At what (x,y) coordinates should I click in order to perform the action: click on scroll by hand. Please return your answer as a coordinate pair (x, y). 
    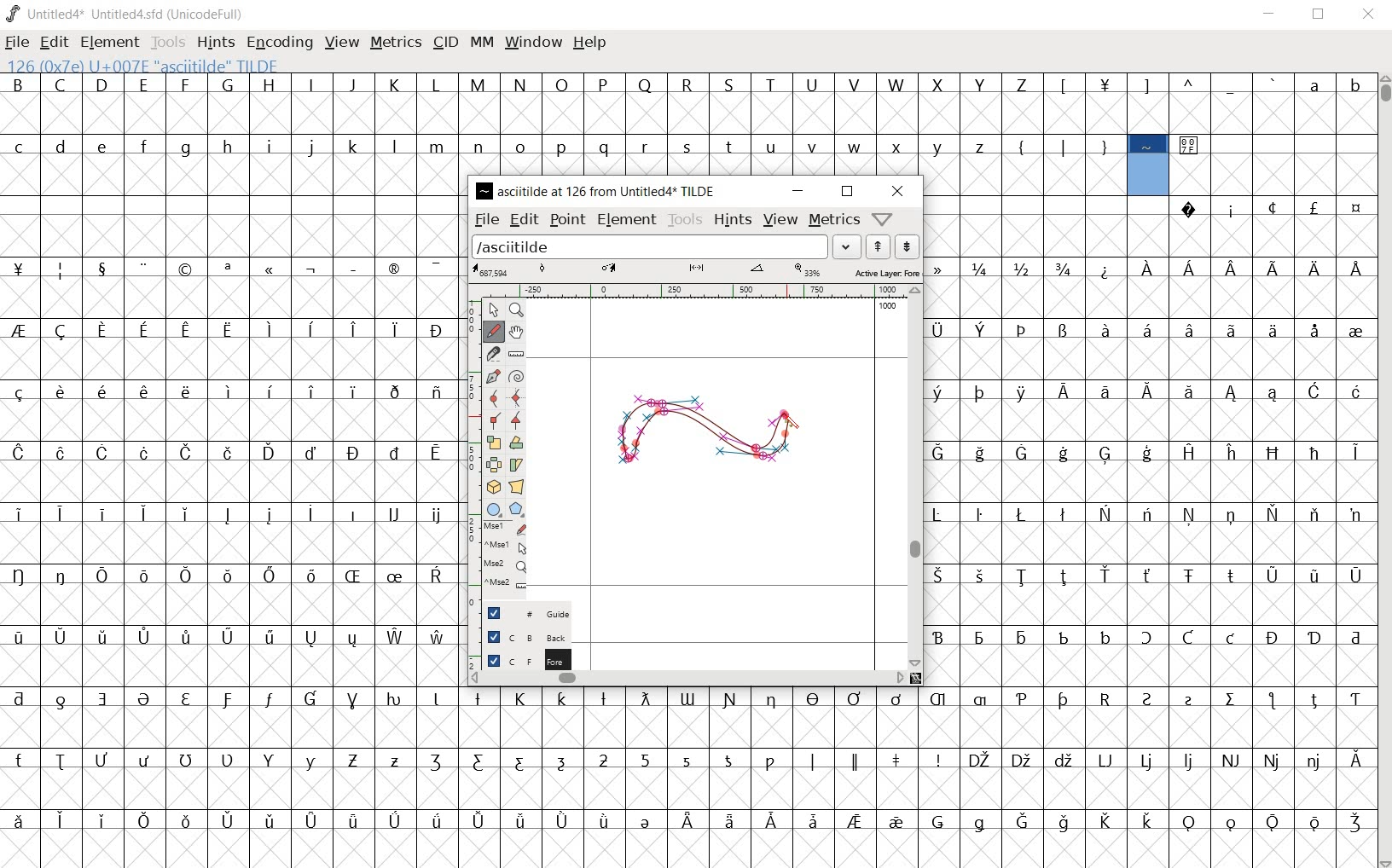
    Looking at the image, I should click on (517, 333).